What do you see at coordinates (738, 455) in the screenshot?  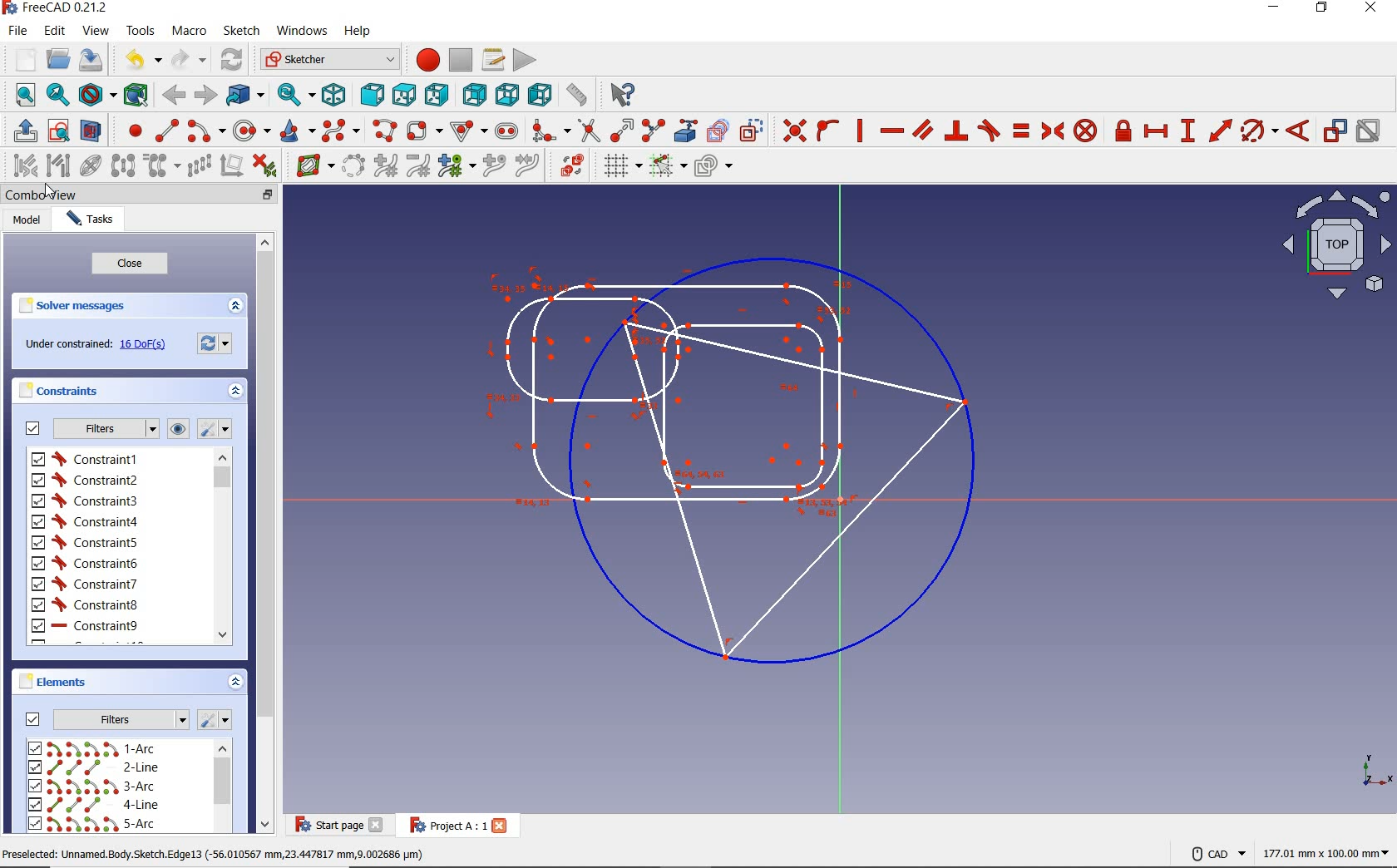 I see `project design` at bounding box center [738, 455].